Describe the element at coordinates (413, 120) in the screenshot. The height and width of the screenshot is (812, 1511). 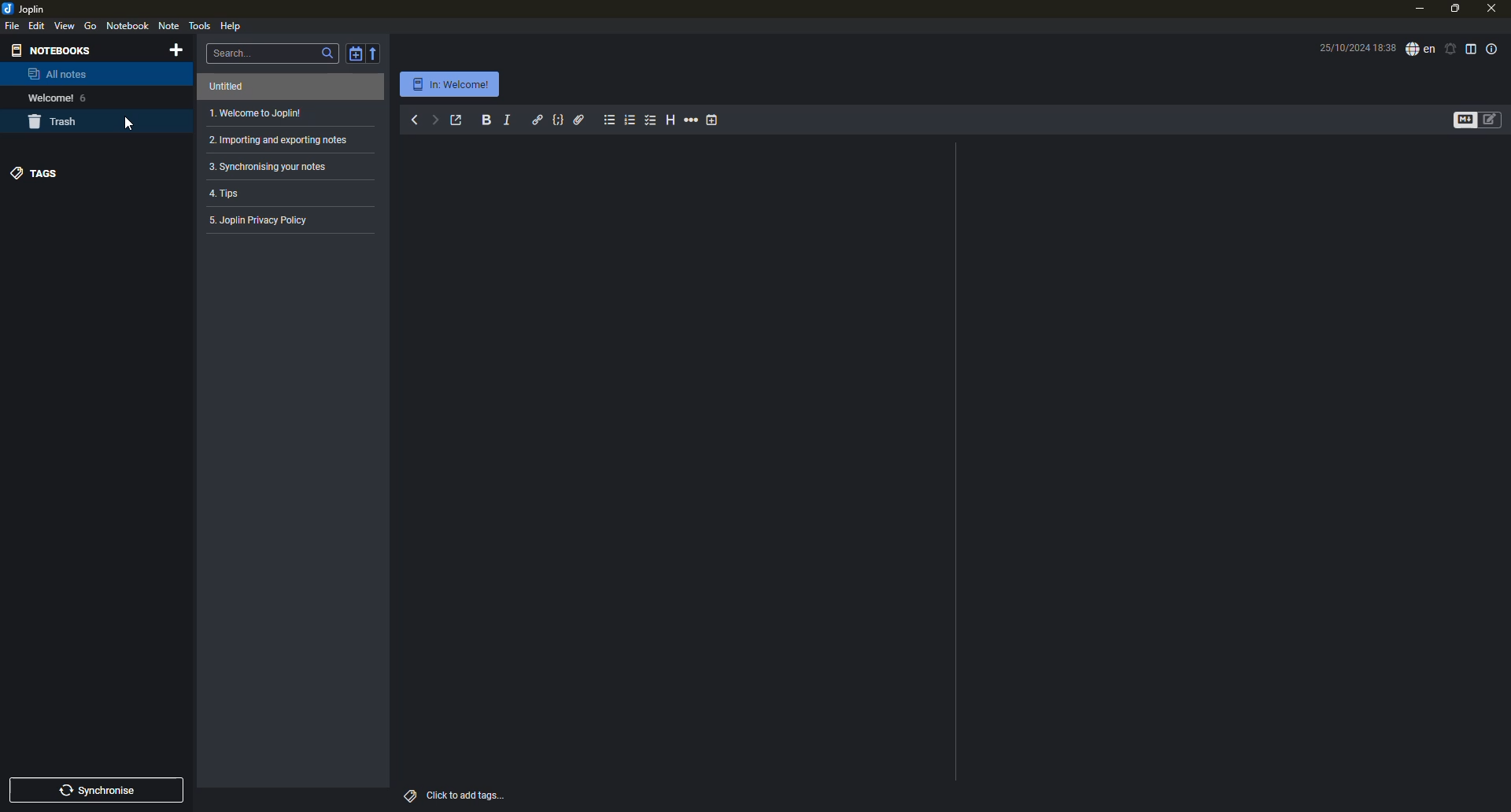
I see `back` at that location.